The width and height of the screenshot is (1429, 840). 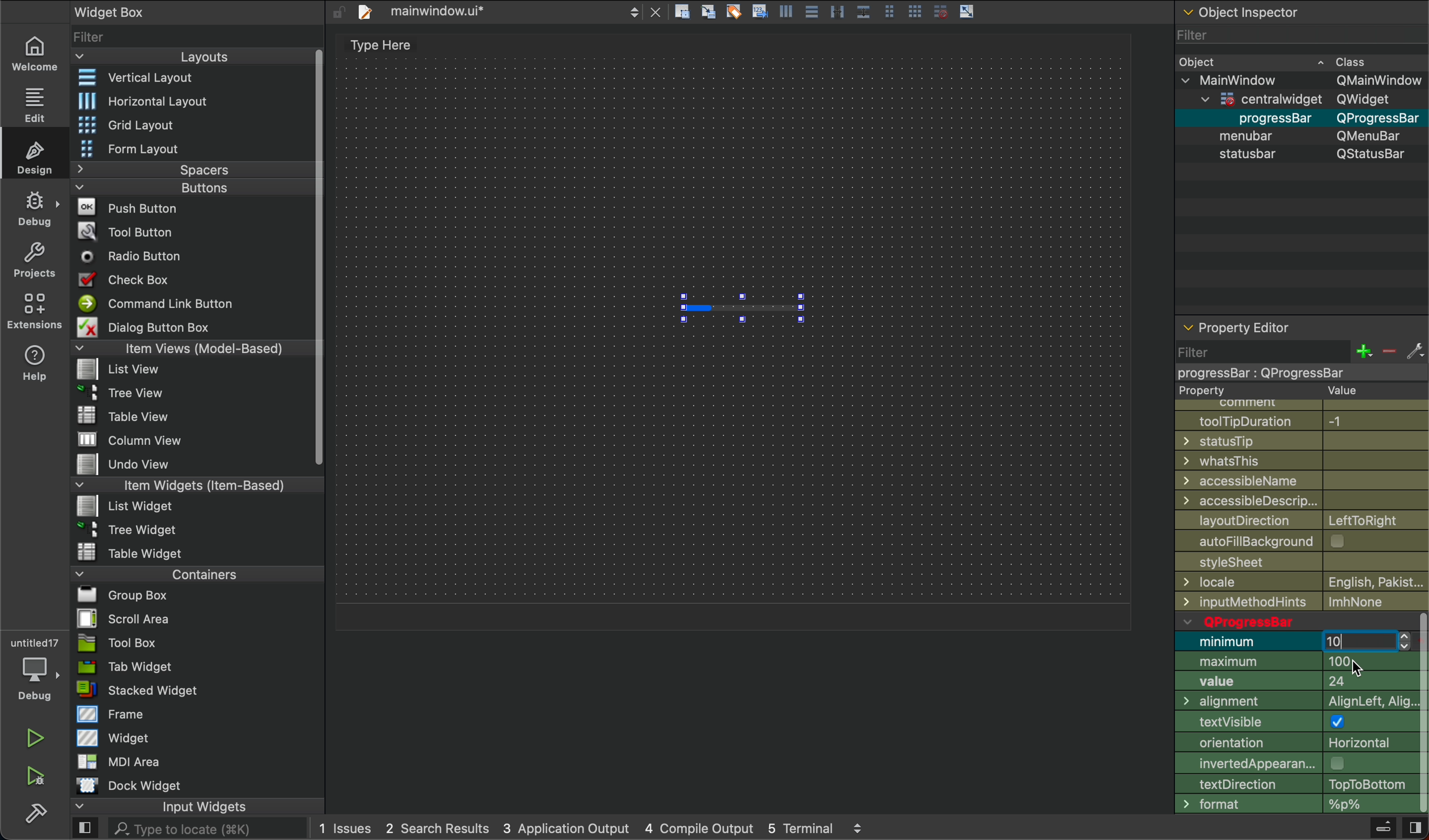 I want to click on Tab Widget, so click(x=122, y=667).